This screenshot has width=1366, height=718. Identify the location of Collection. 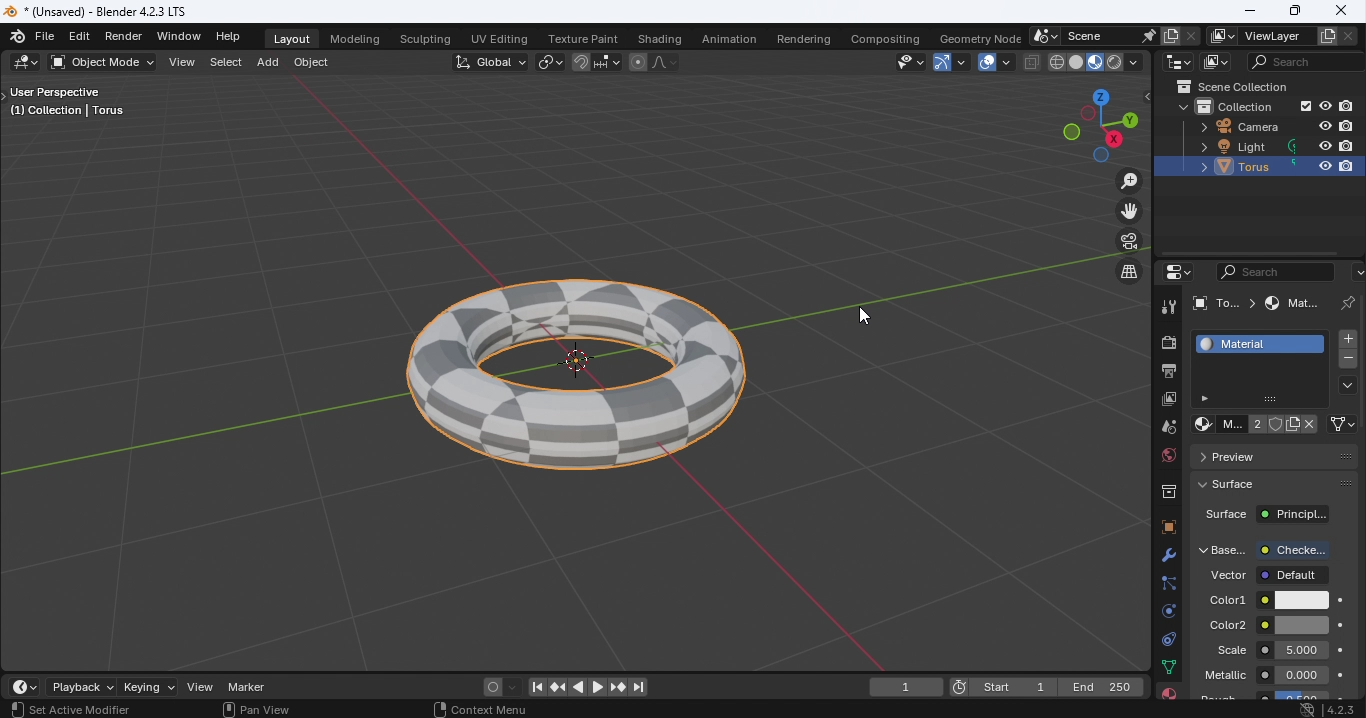
(1234, 105).